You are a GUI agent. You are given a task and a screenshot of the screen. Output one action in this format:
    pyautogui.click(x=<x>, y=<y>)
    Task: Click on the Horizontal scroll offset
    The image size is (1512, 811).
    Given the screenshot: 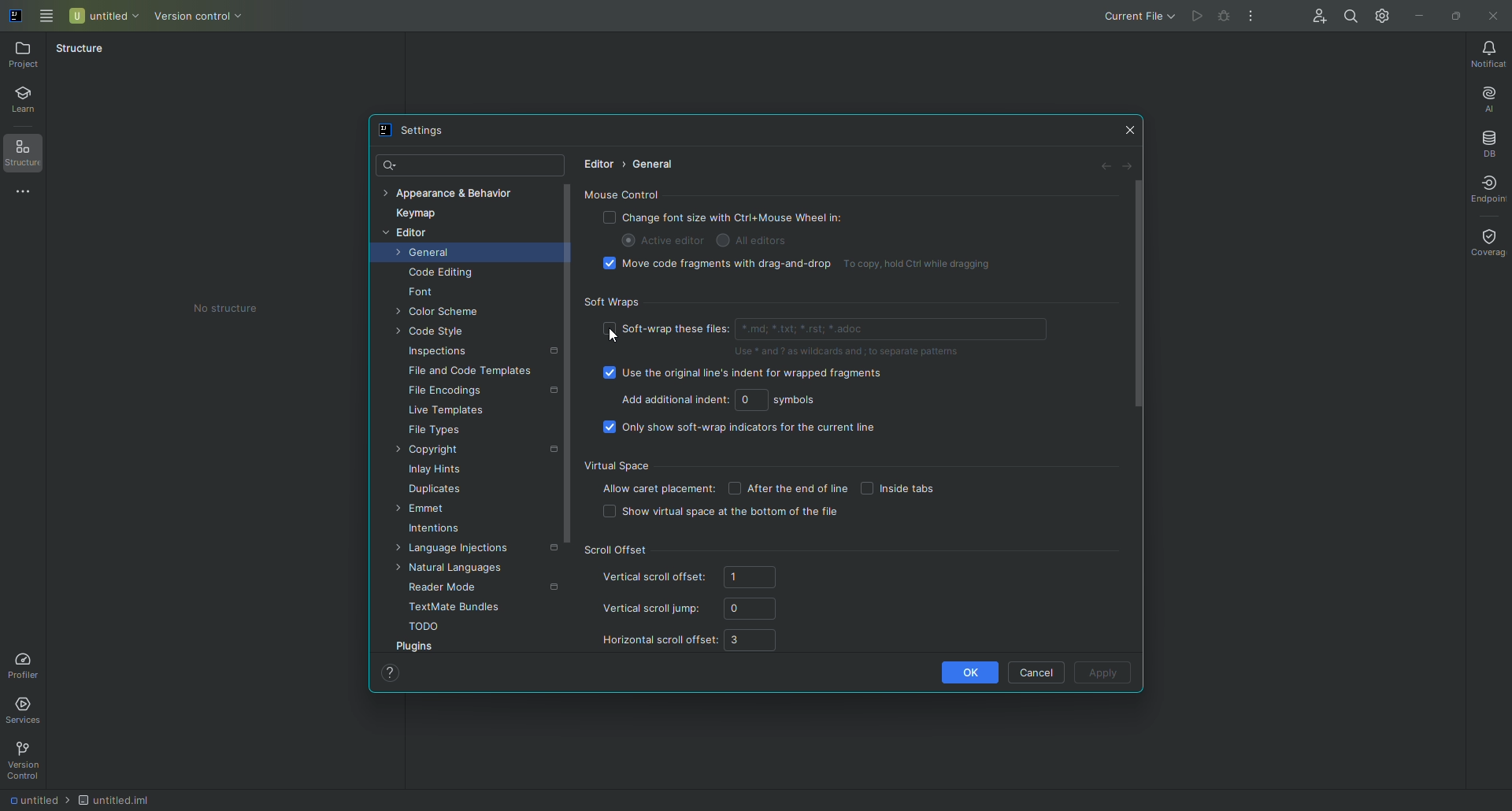 What is the action you would take?
    pyautogui.click(x=693, y=641)
    